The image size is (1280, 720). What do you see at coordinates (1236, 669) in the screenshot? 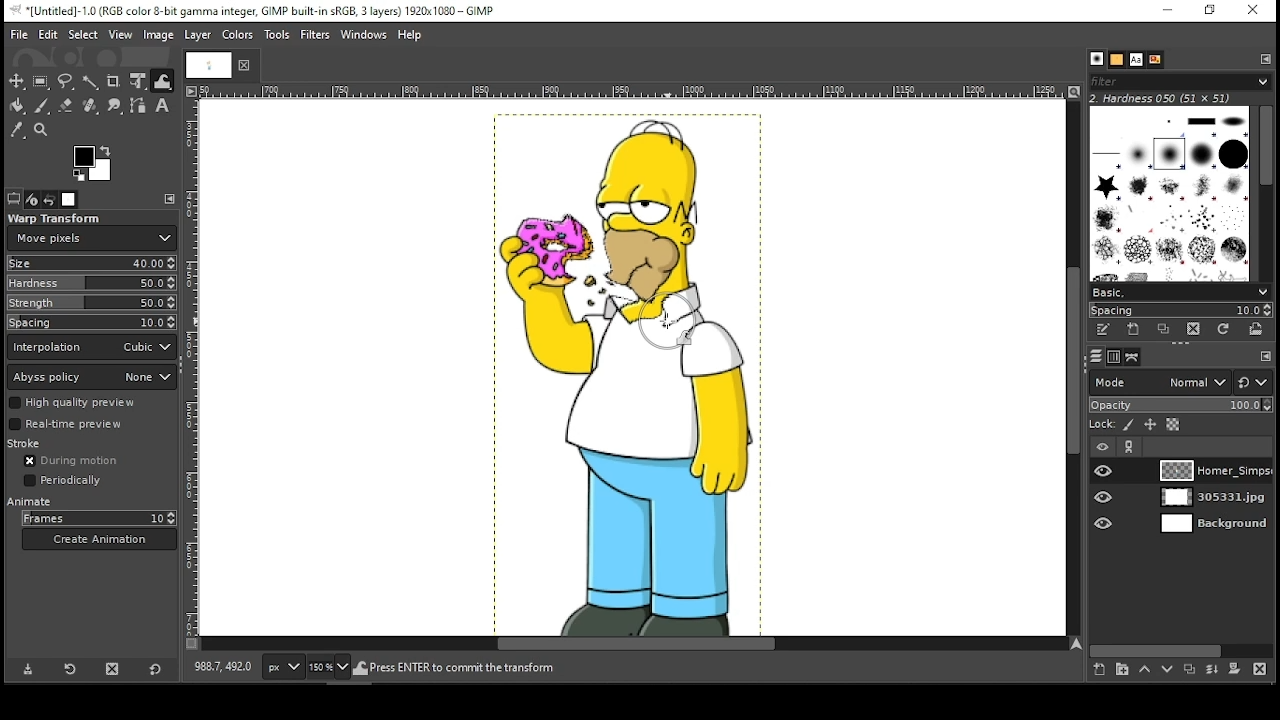
I see `add mask` at bounding box center [1236, 669].